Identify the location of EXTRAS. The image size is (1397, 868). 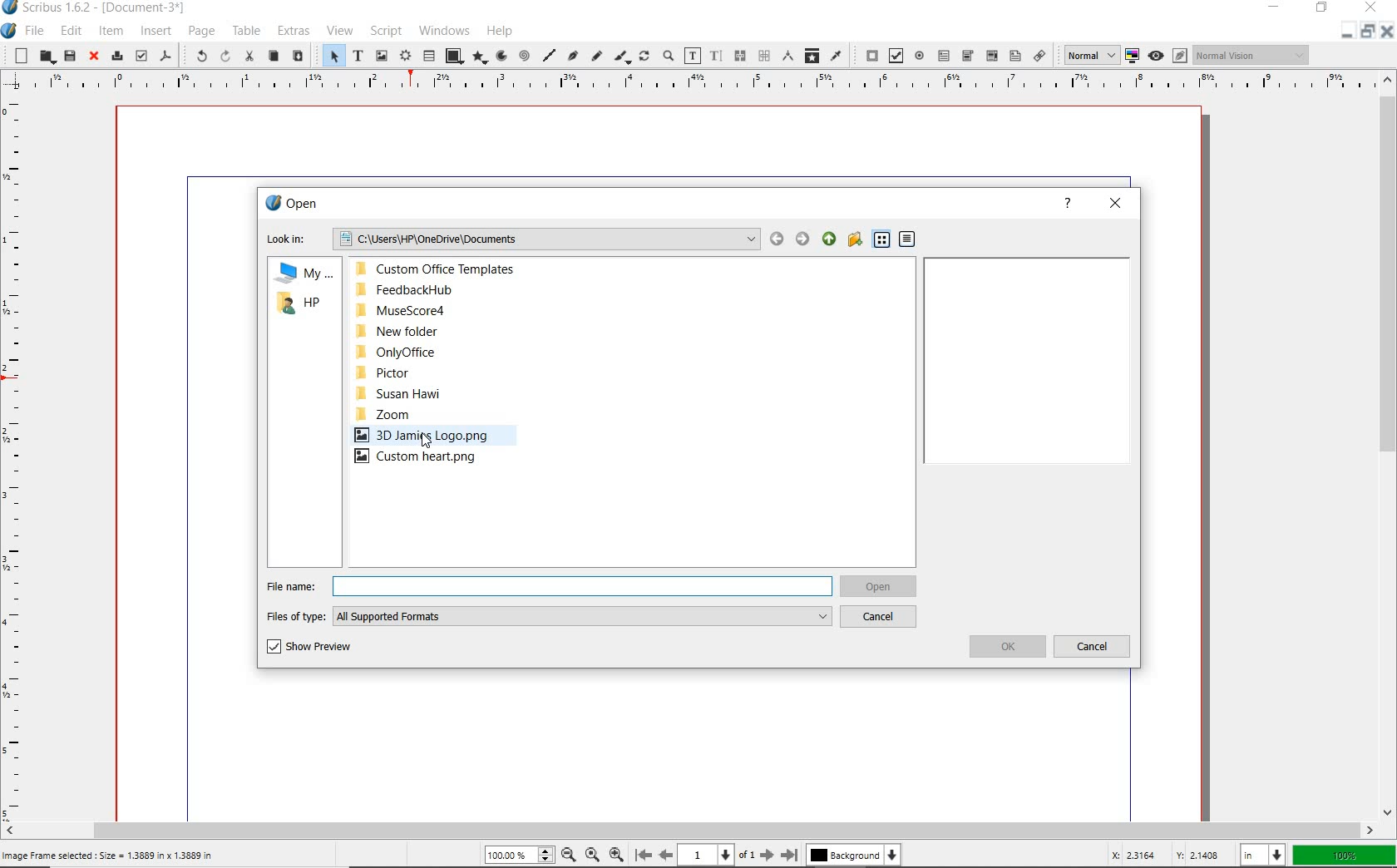
(293, 31).